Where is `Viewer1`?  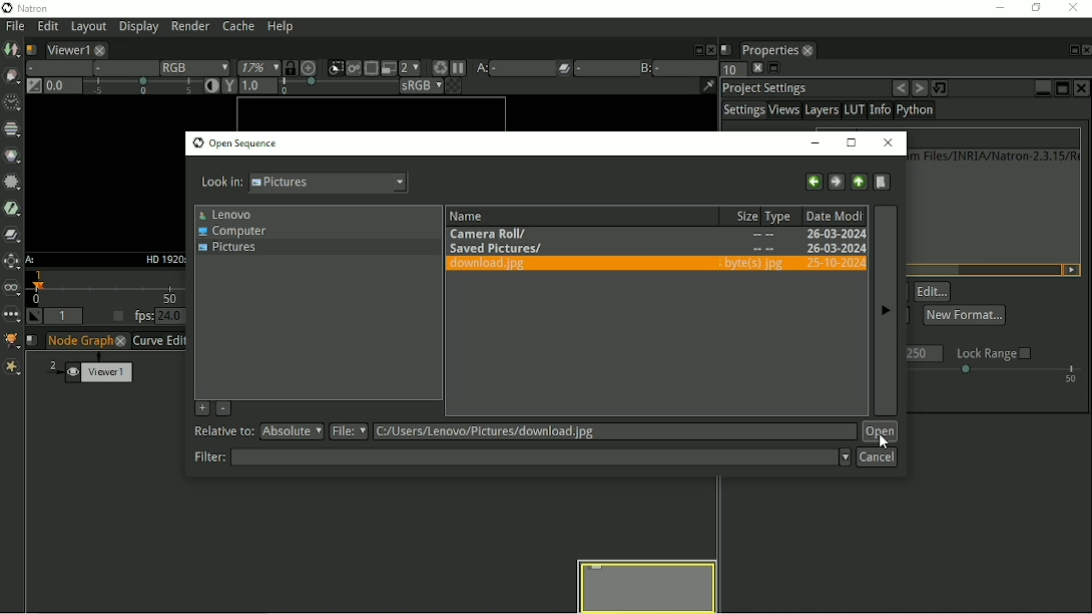 Viewer1 is located at coordinates (101, 369).